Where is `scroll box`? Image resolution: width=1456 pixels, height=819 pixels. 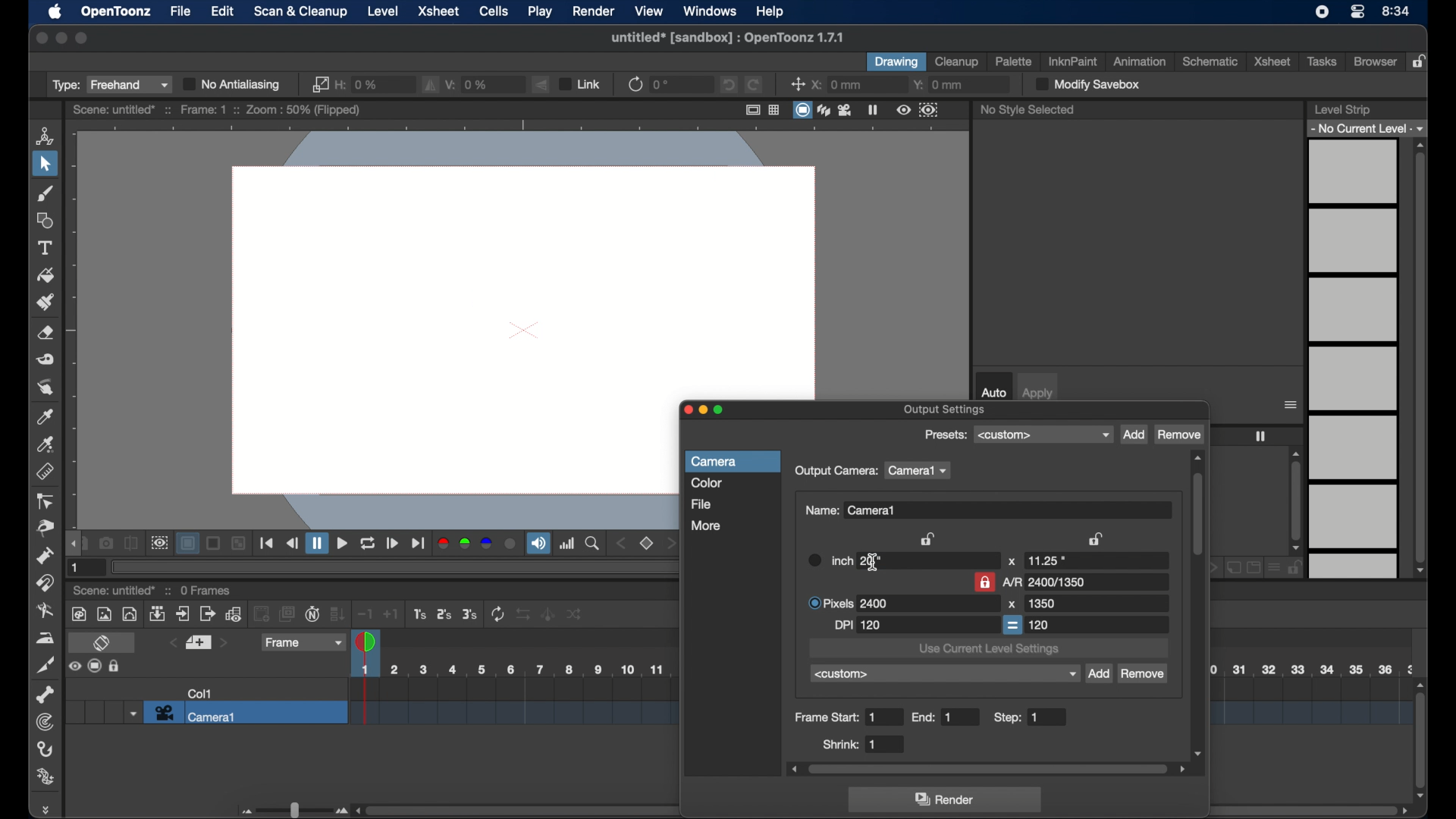 scroll box is located at coordinates (988, 769).